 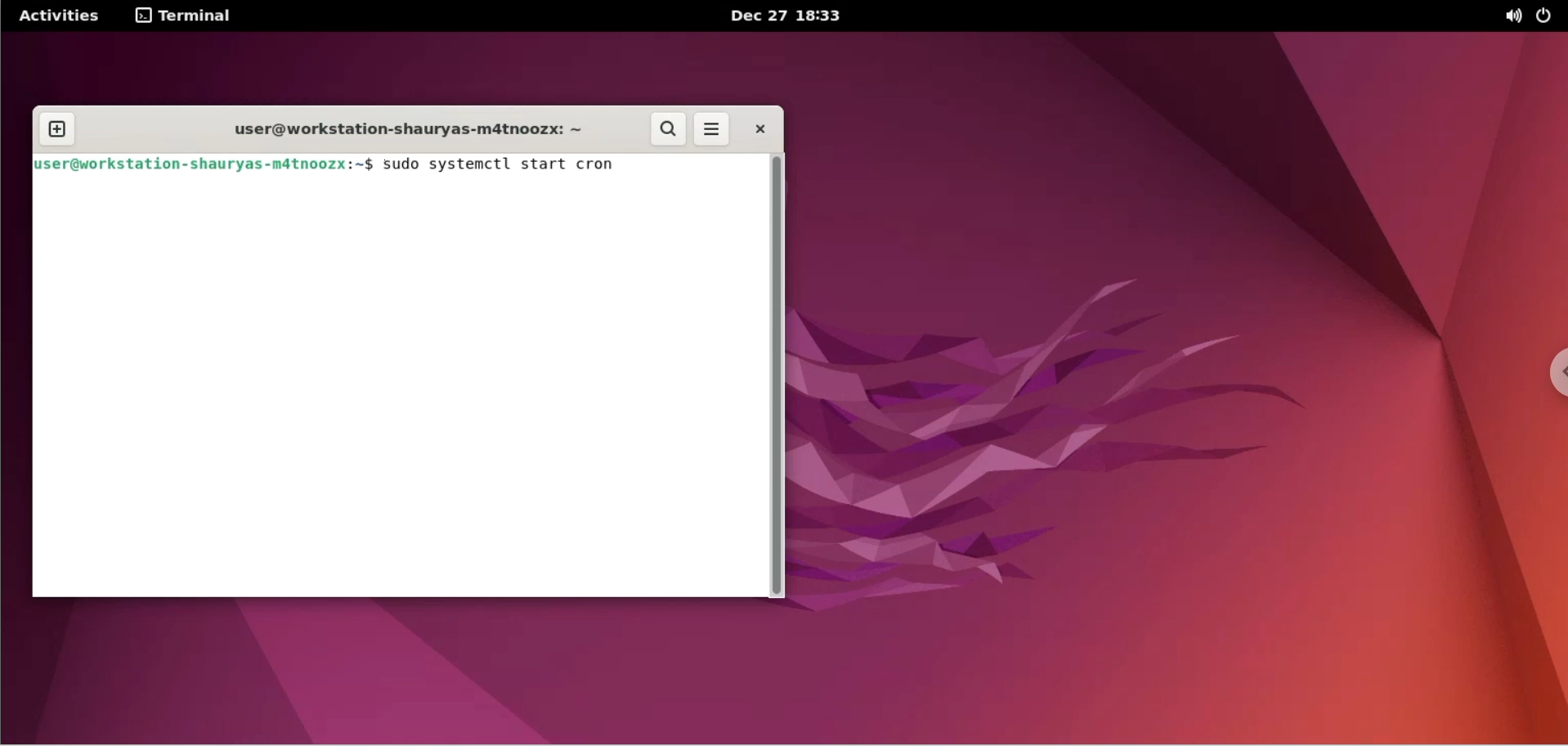 What do you see at coordinates (515, 167) in the screenshot?
I see `sudo systemctl start cron` at bounding box center [515, 167].